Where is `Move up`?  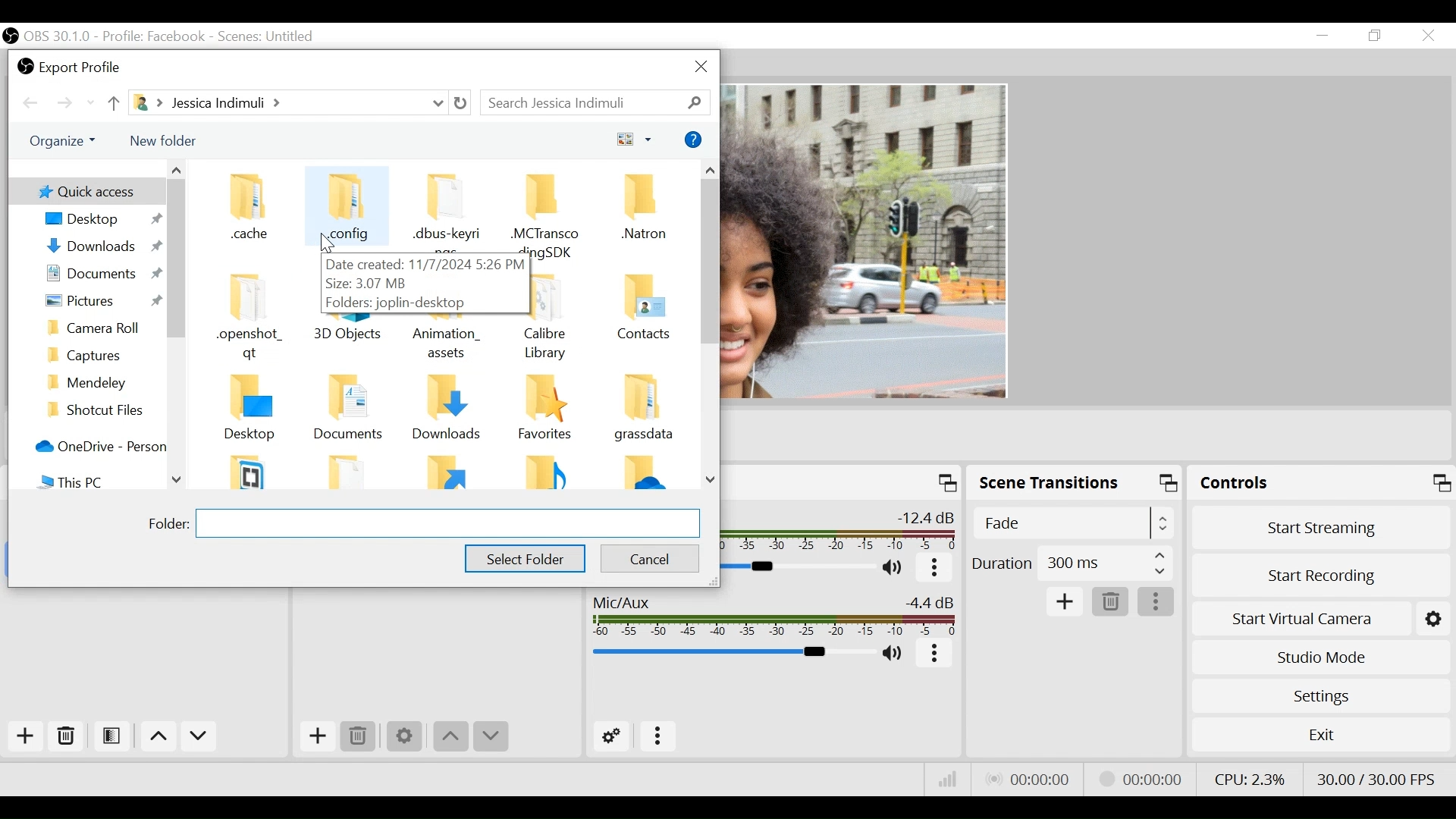
Move up is located at coordinates (112, 104).